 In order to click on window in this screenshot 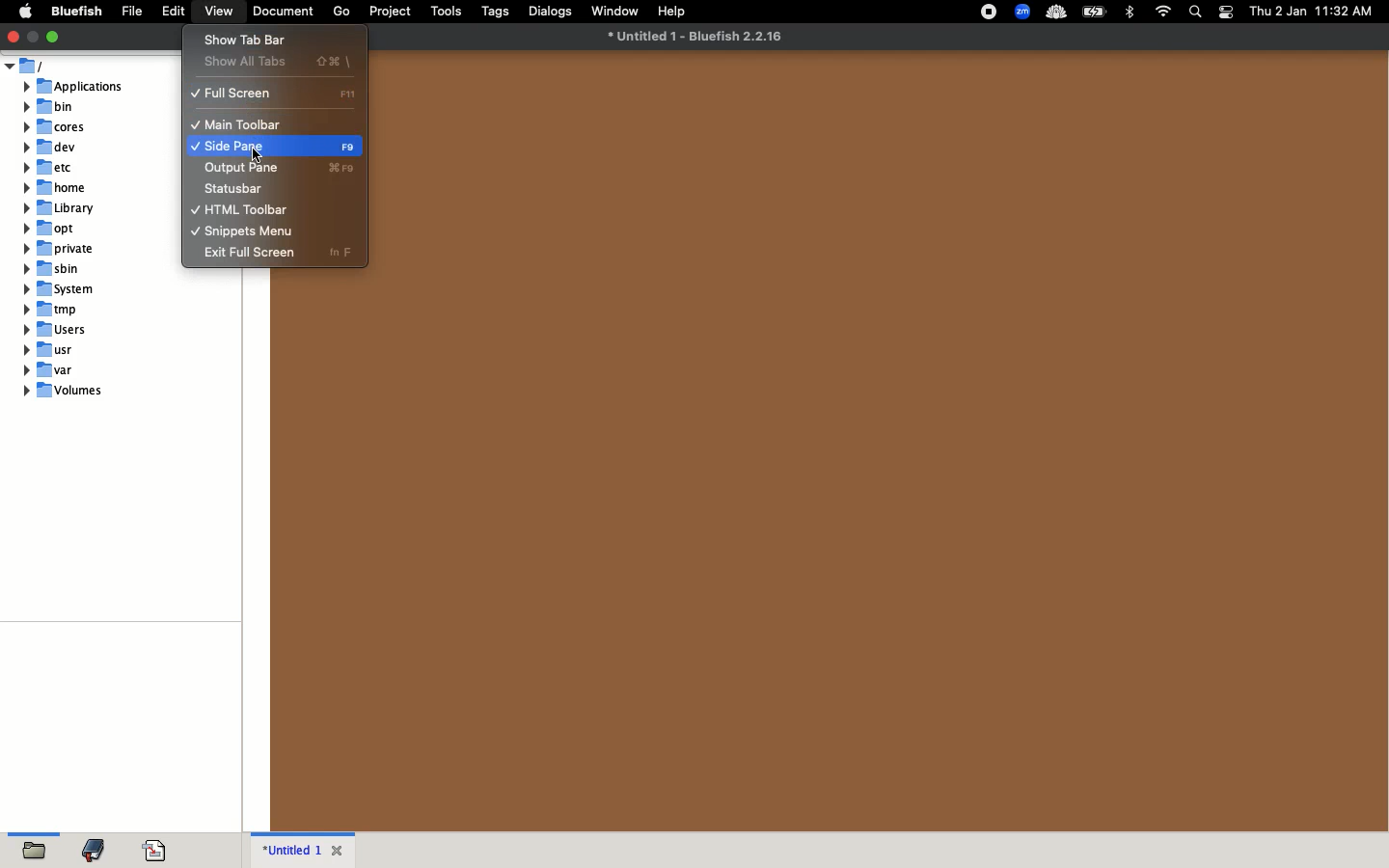, I will do `click(616, 11)`.